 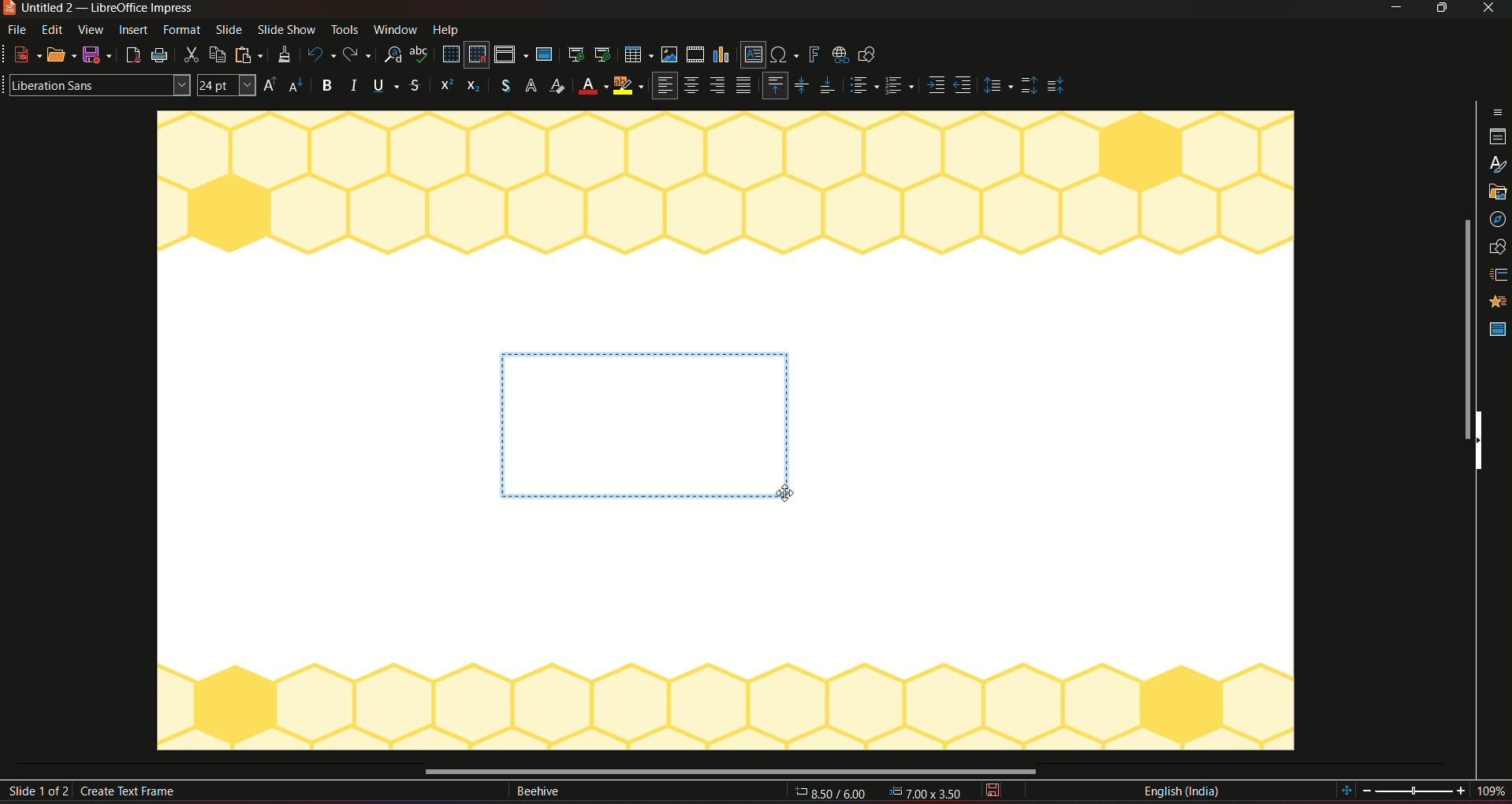 I want to click on Align right, so click(x=721, y=86).